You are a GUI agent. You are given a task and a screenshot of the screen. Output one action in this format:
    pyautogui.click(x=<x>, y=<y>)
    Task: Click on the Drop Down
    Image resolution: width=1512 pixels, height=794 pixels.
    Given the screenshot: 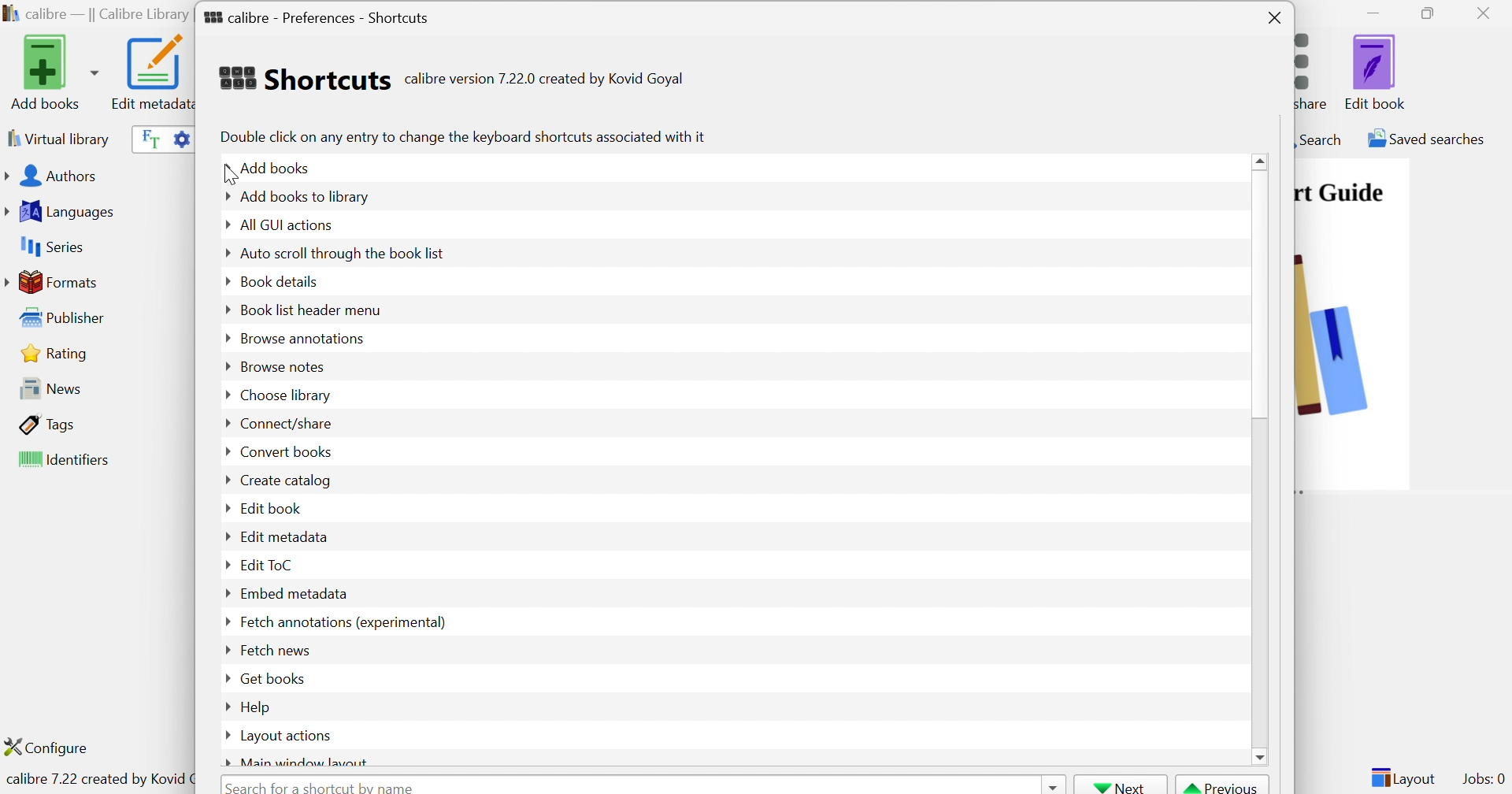 What is the action you would take?
    pyautogui.click(x=223, y=225)
    